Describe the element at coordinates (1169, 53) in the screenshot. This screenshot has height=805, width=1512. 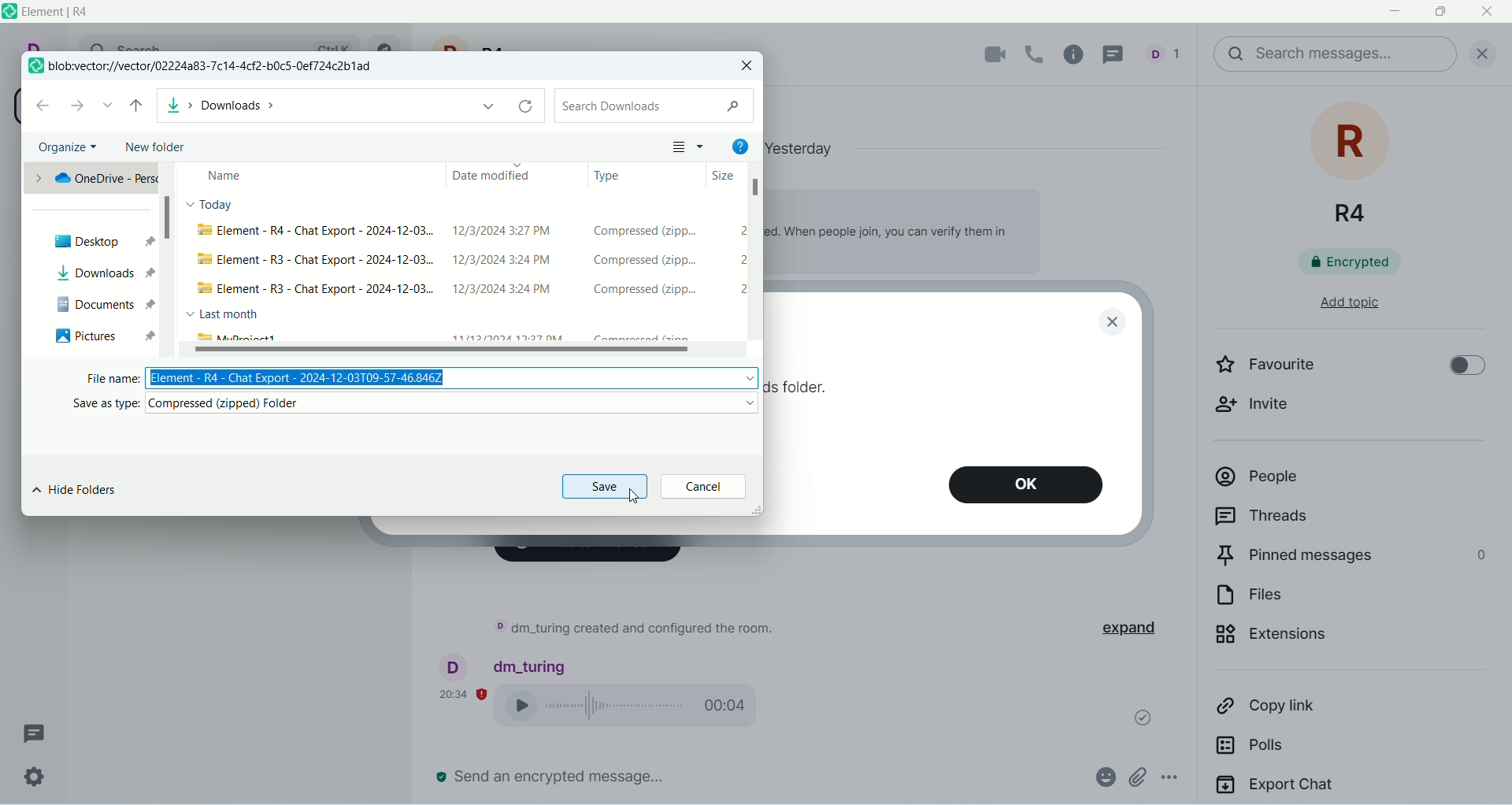
I see `people` at that location.